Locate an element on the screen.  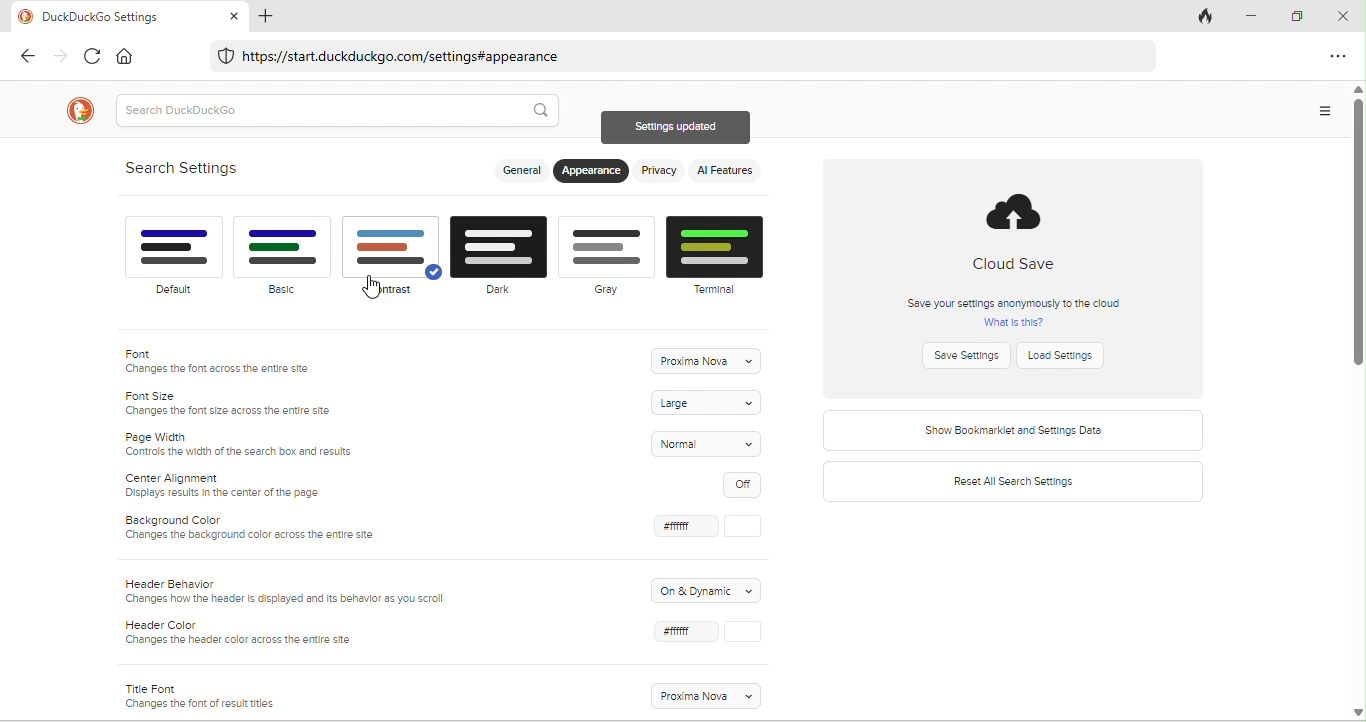
on and dynamic is located at coordinates (709, 589).